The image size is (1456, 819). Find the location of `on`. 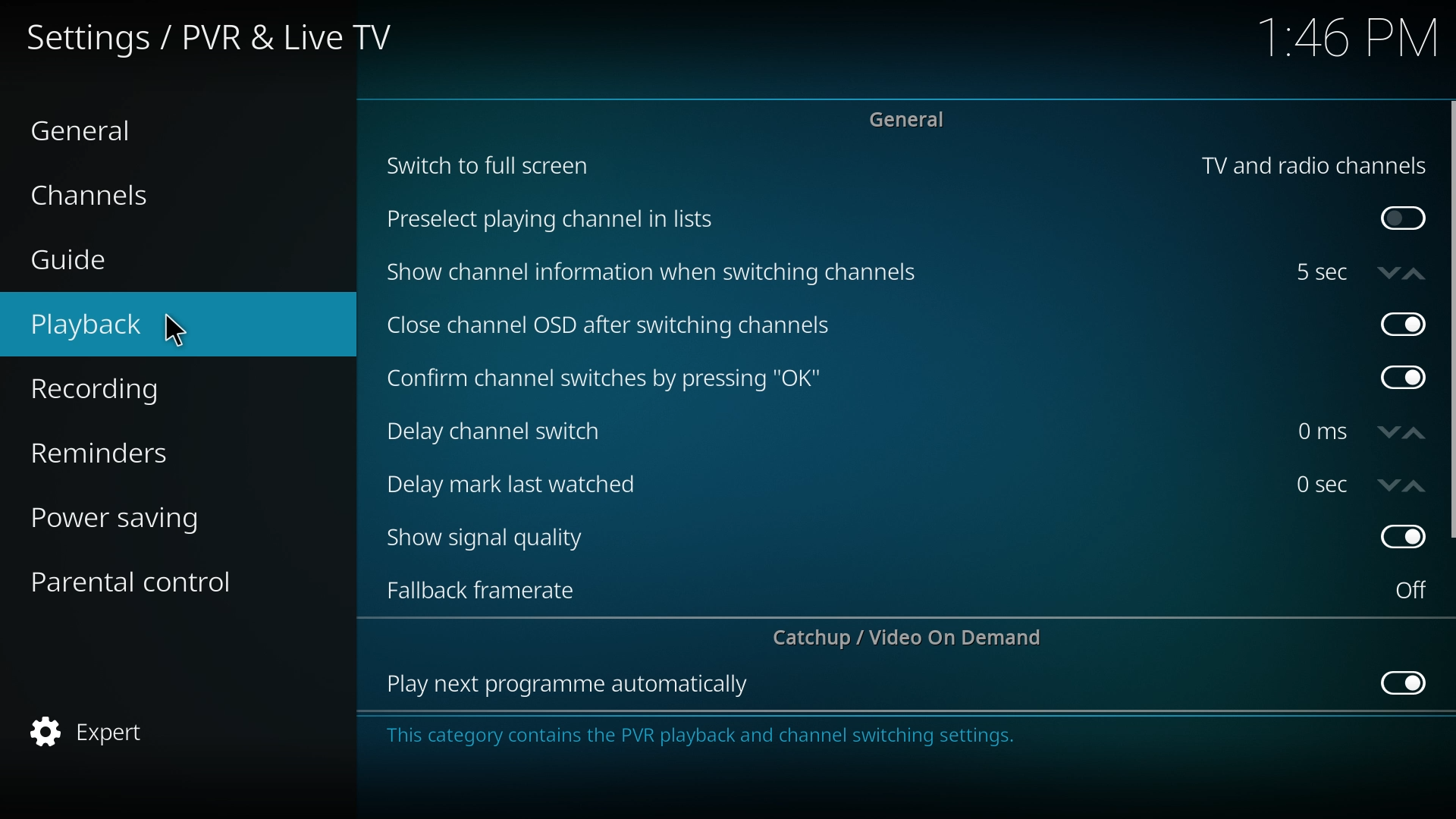

on is located at coordinates (1404, 219).